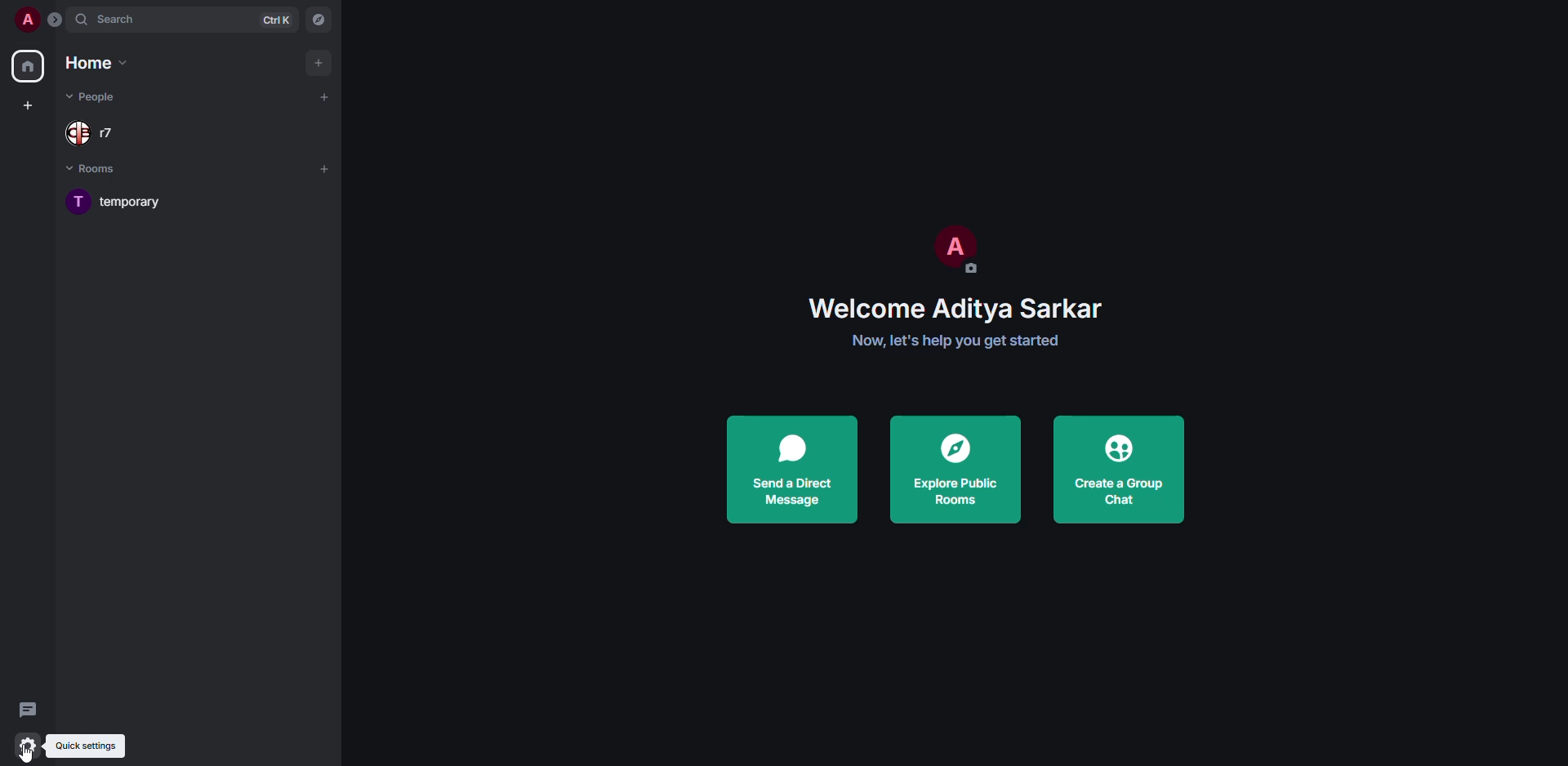 Image resolution: width=1568 pixels, height=766 pixels. What do you see at coordinates (792, 471) in the screenshot?
I see `send a direct message` at bounding box center [792, 471].